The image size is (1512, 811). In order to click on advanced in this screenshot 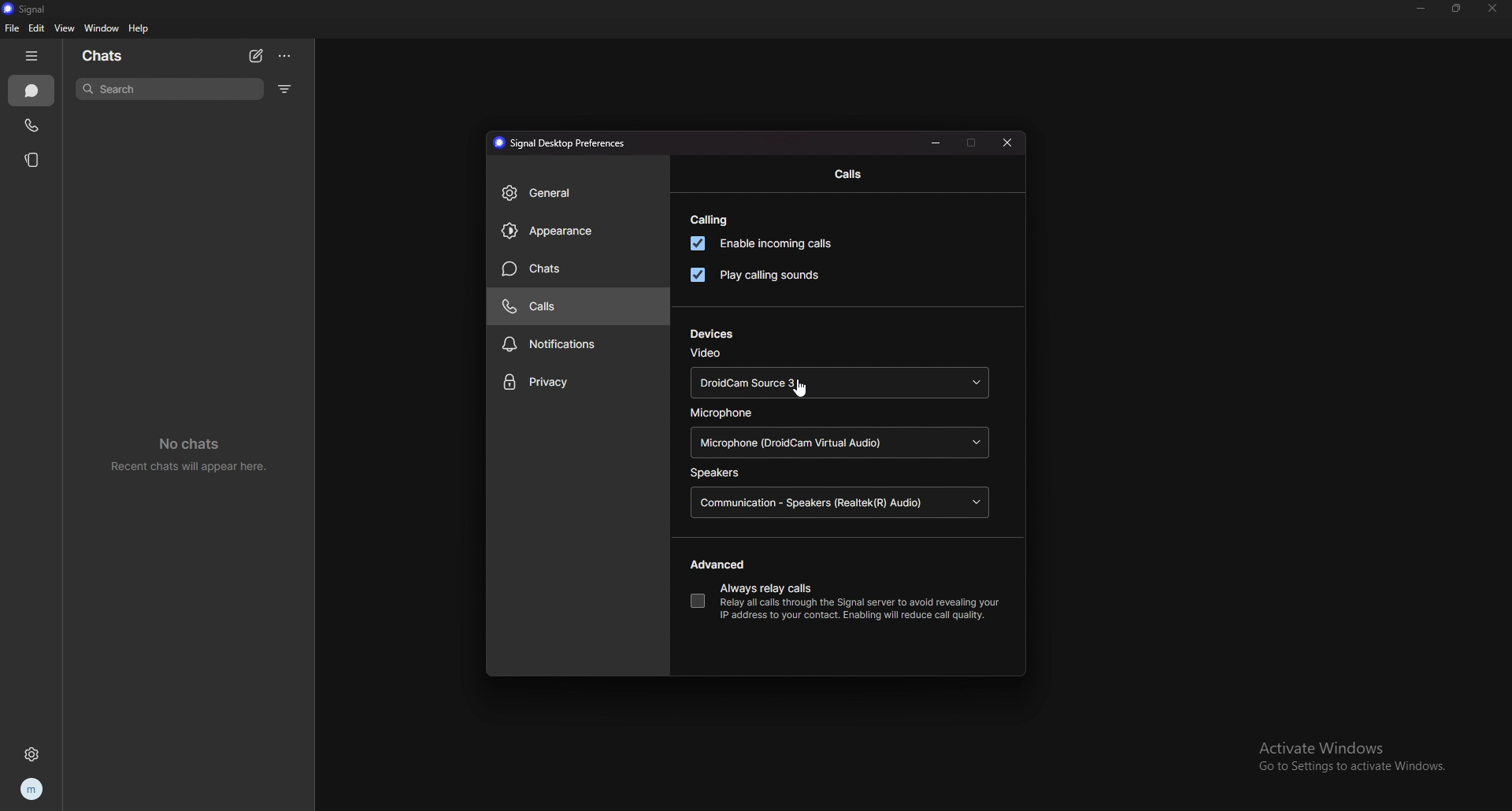, I will do `click(721, 565)`.